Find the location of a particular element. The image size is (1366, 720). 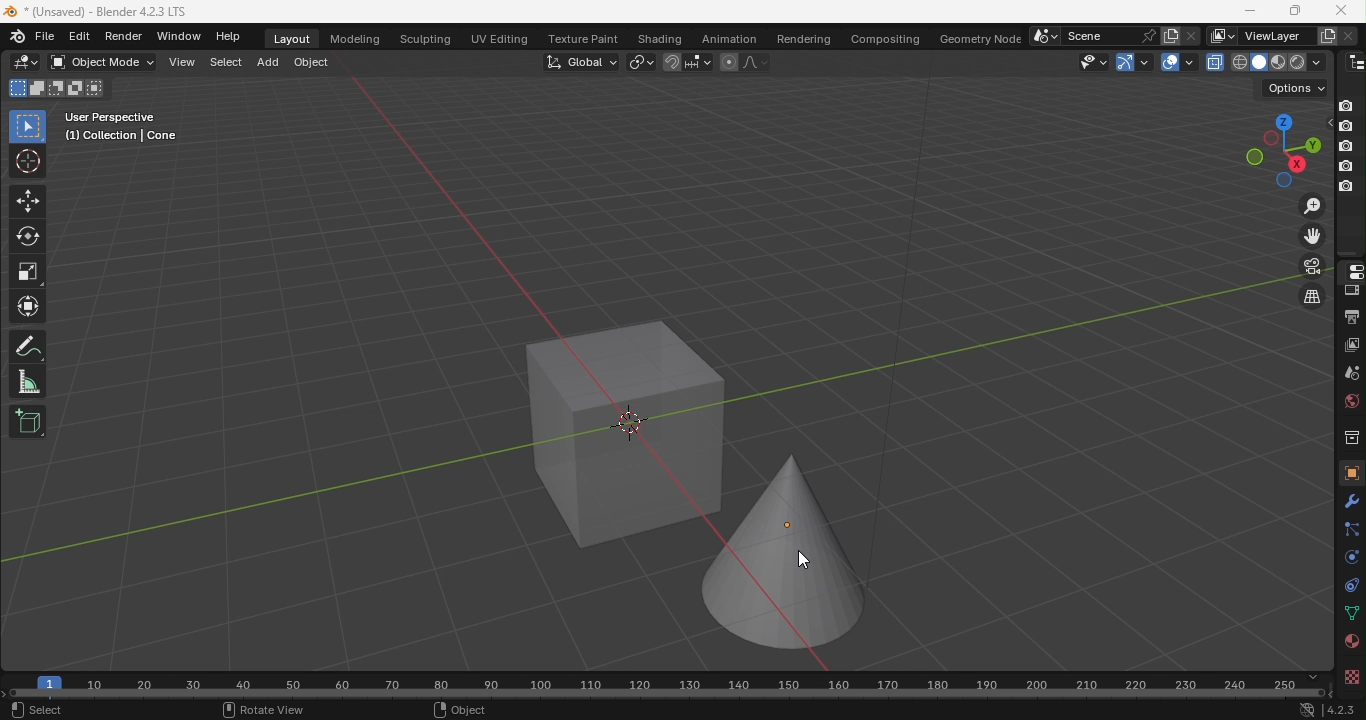

Rendering is located at coordinates (799, 36).